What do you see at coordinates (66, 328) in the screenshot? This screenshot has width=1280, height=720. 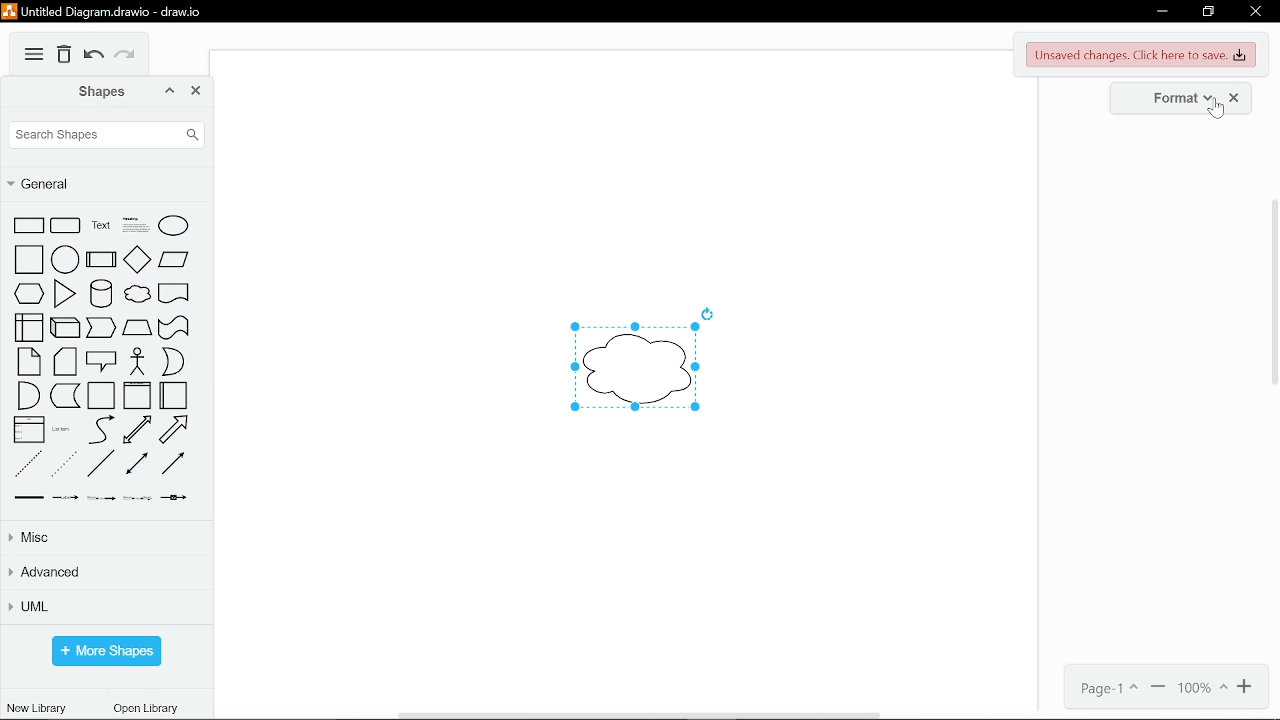 I see `cube` at bounding box center [66, 328].